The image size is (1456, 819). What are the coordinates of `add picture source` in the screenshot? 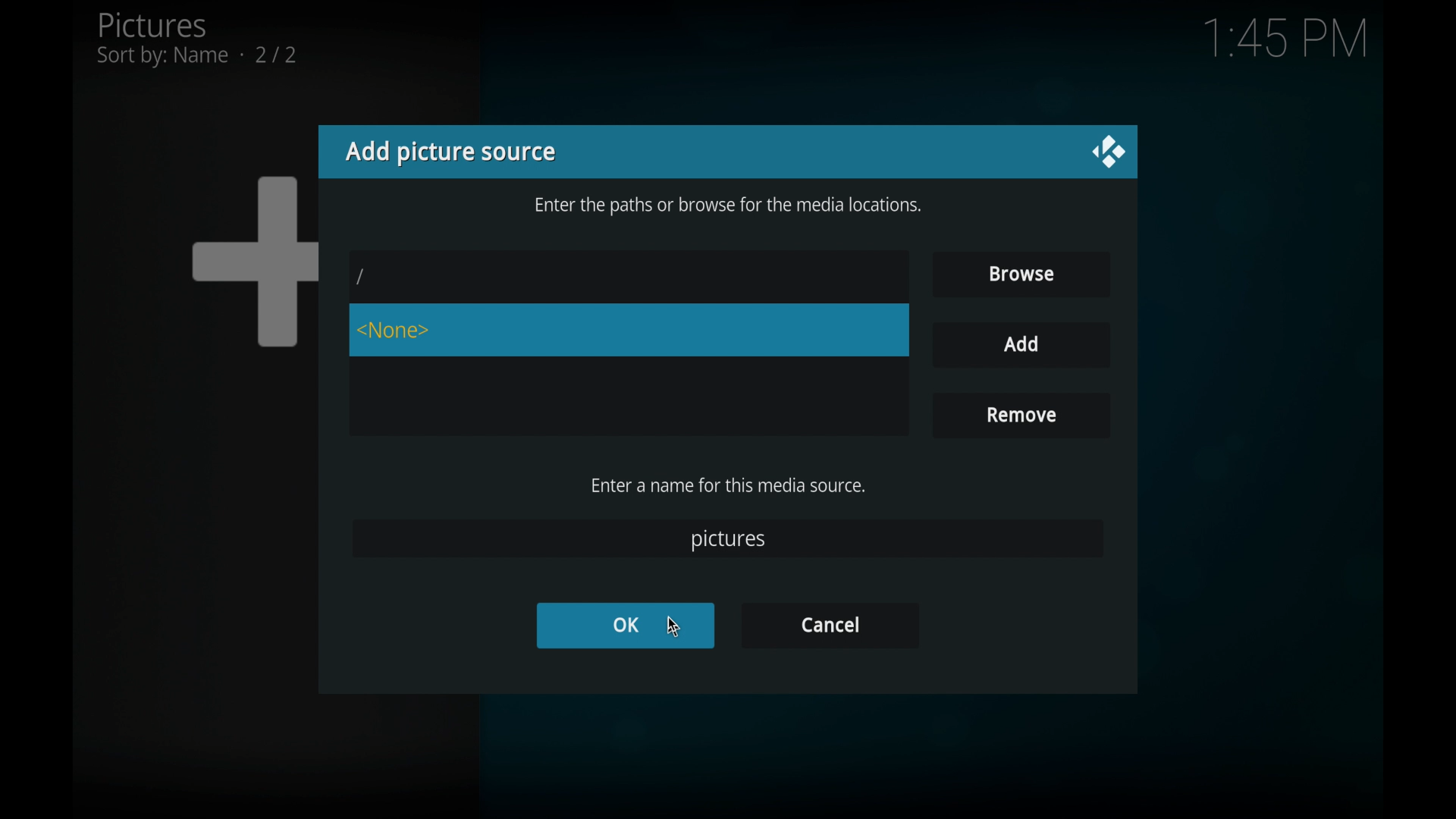 It's located at (450, 152).